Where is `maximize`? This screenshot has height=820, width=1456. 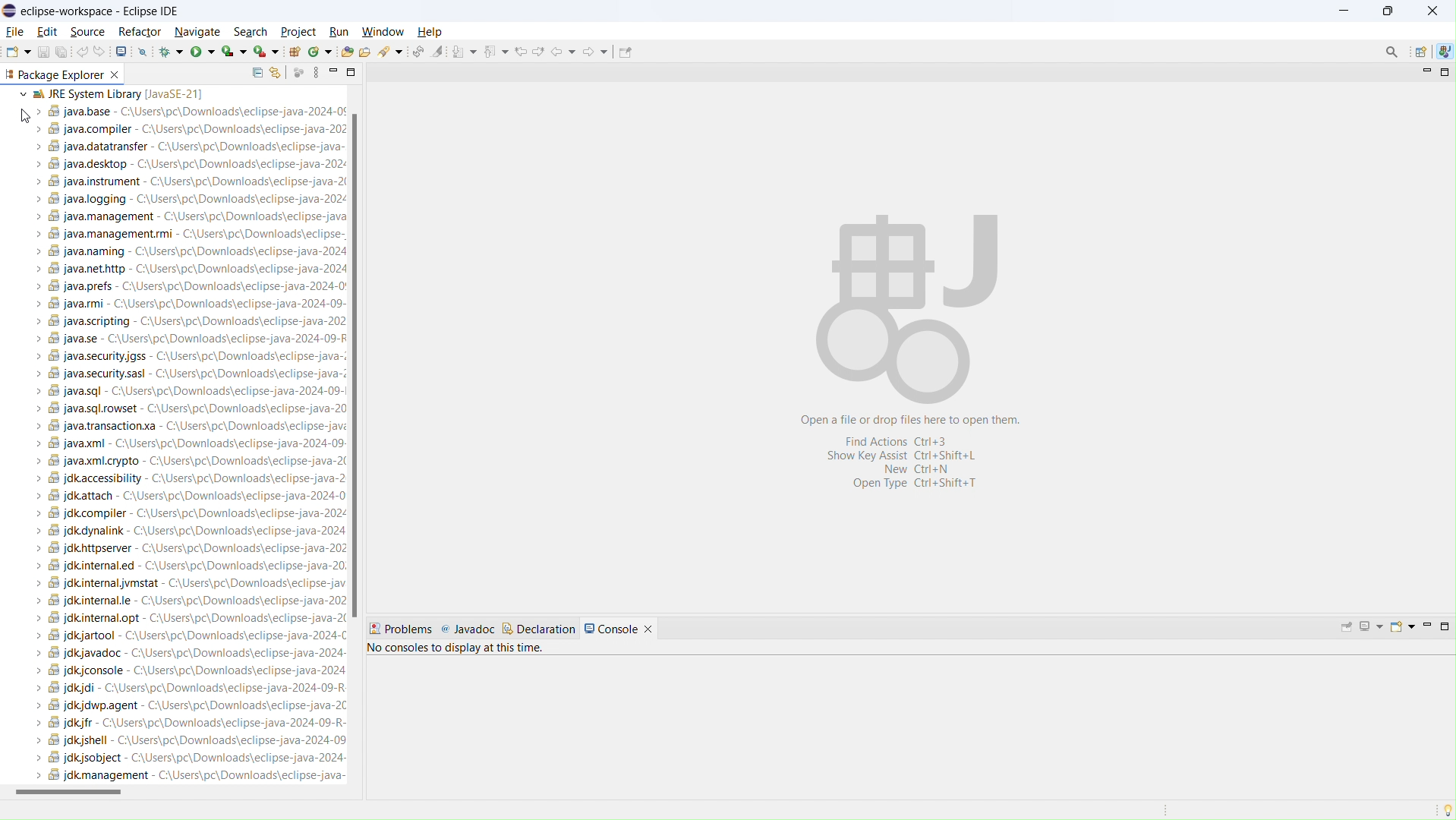
maximize is located at coordinates (1445, 71).